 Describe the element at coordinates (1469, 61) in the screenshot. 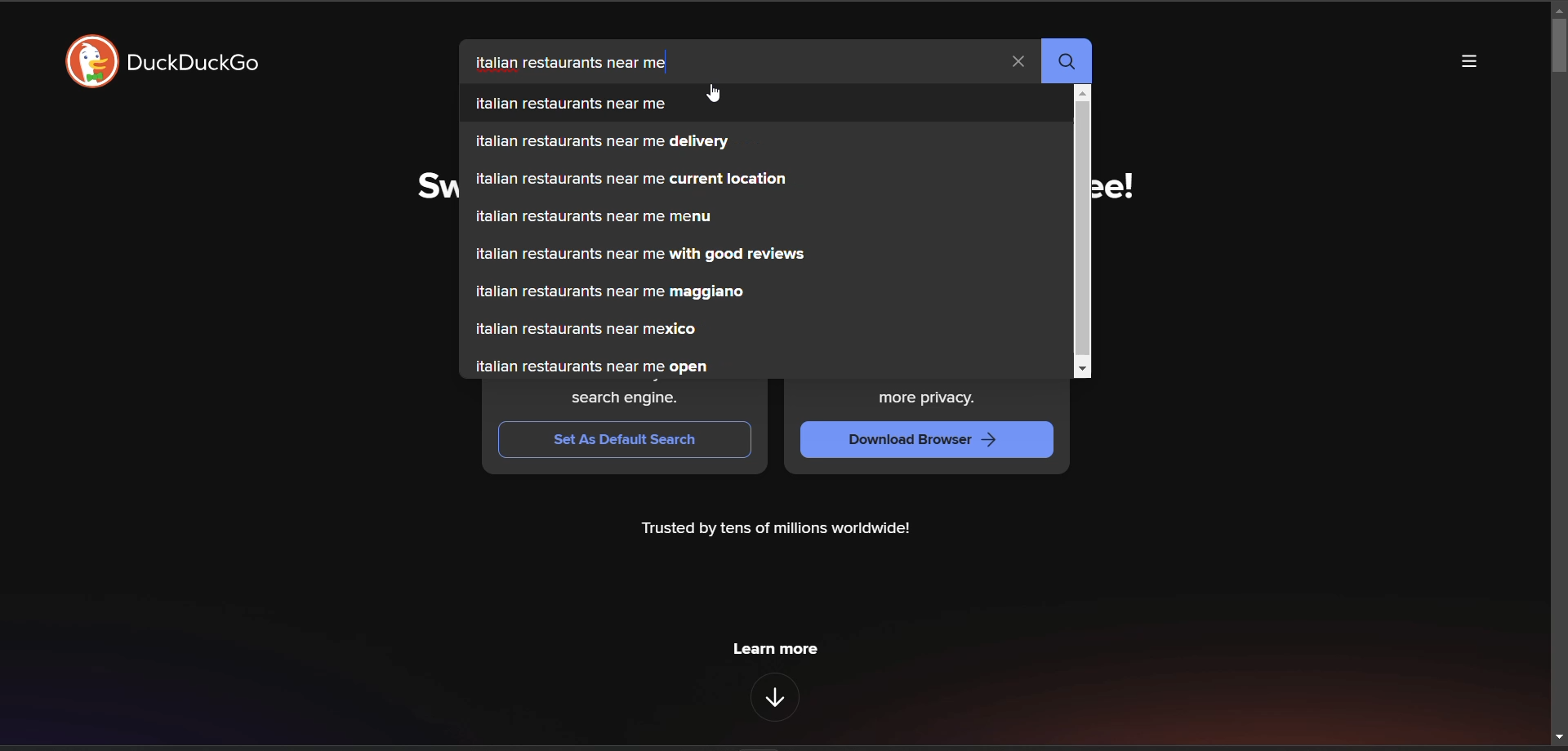

I see `more options` at that location.